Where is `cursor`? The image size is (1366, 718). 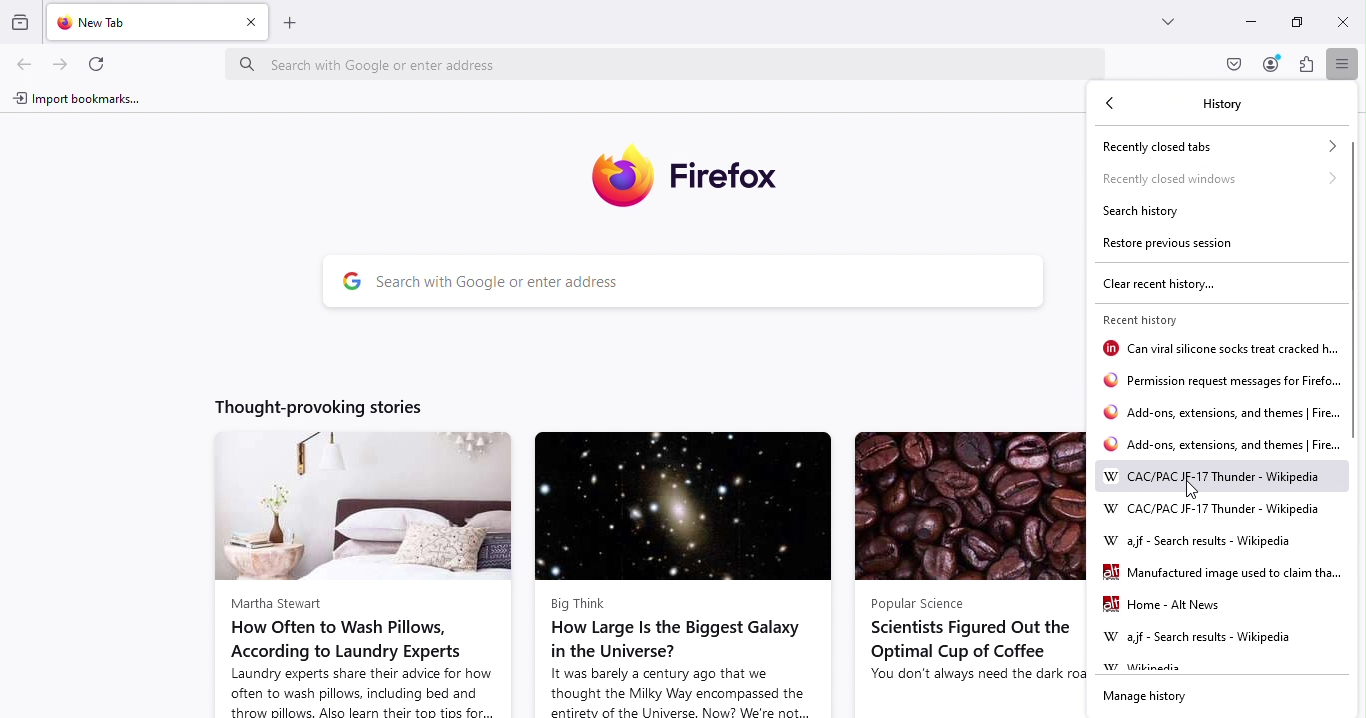
cursor is located at coordinates (1195, 489).